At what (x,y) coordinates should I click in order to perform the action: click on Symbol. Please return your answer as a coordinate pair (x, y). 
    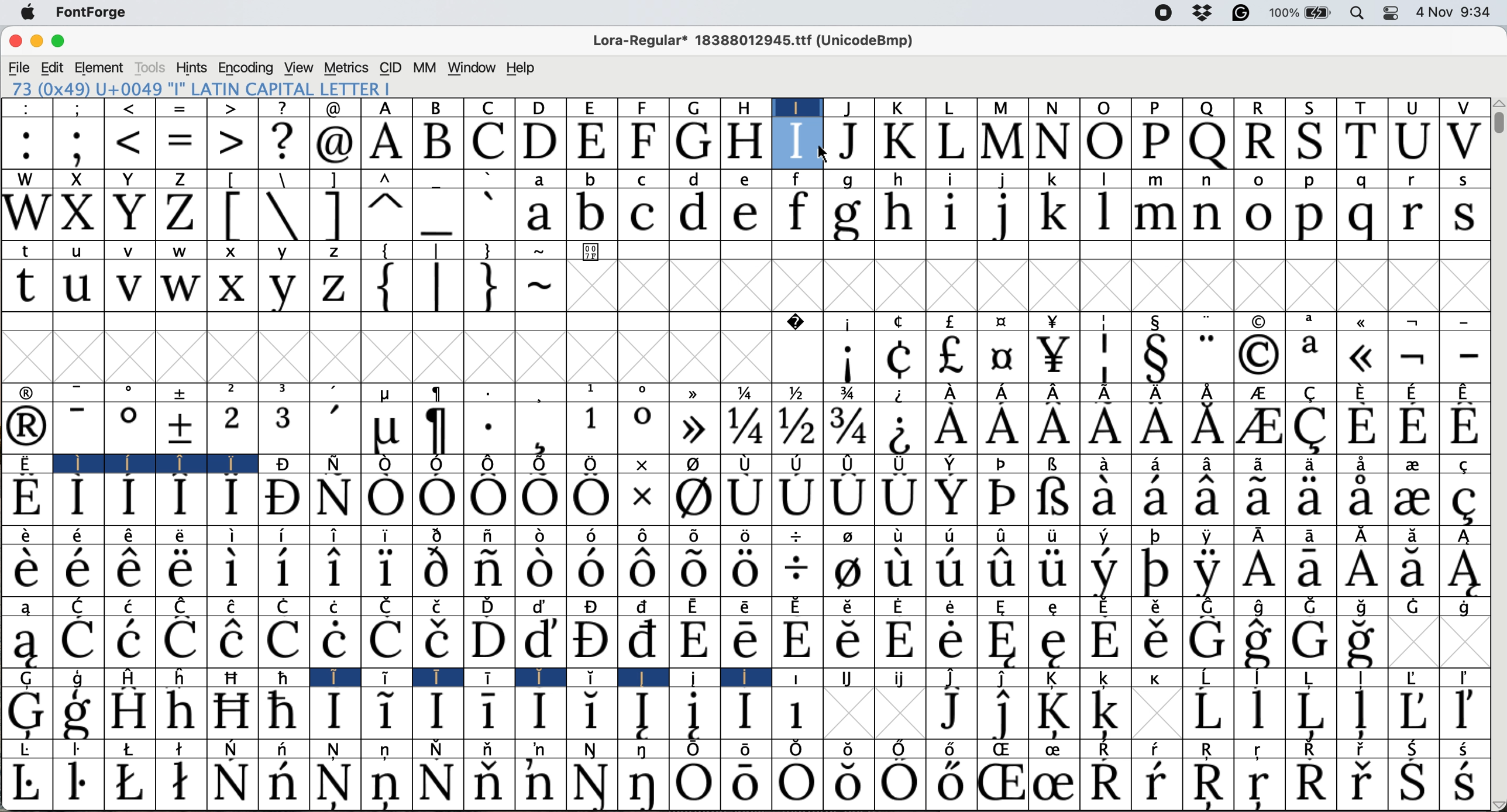
    Looking at the image, I should click on (336, 606).